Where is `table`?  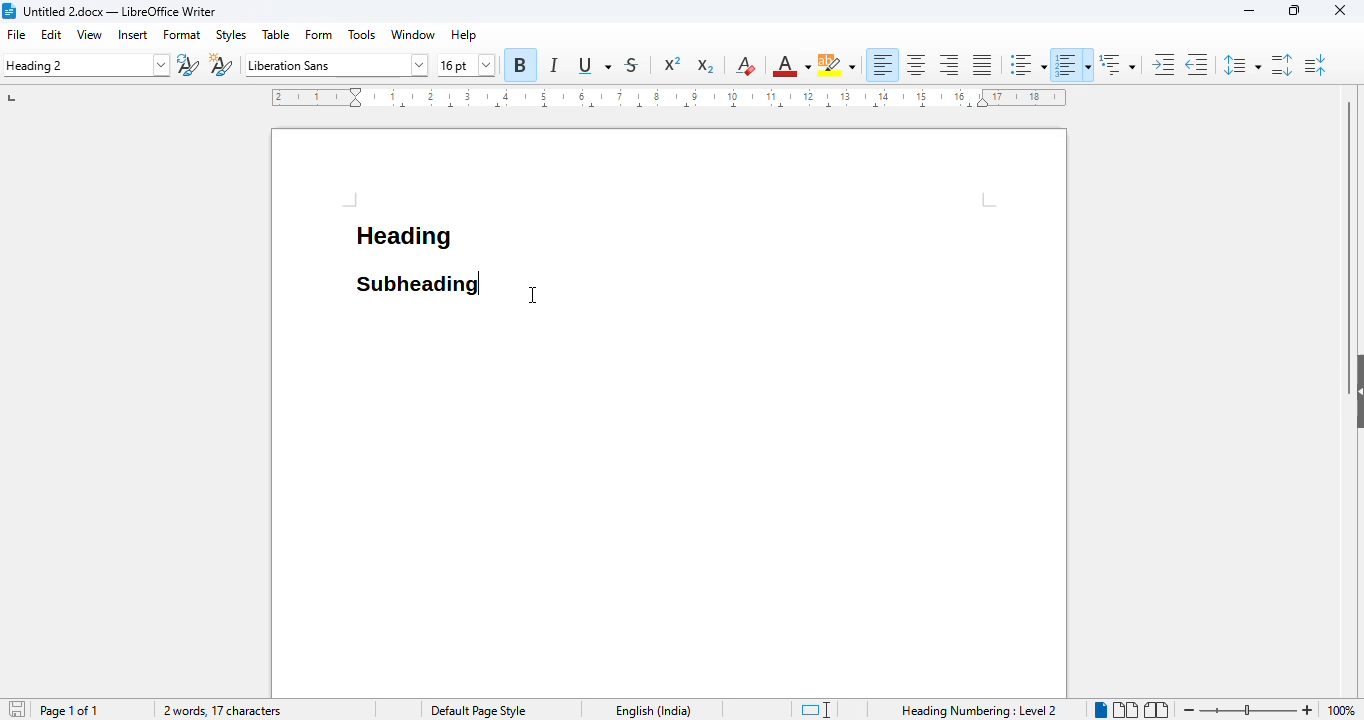
table is located at coordinates (275, 34).